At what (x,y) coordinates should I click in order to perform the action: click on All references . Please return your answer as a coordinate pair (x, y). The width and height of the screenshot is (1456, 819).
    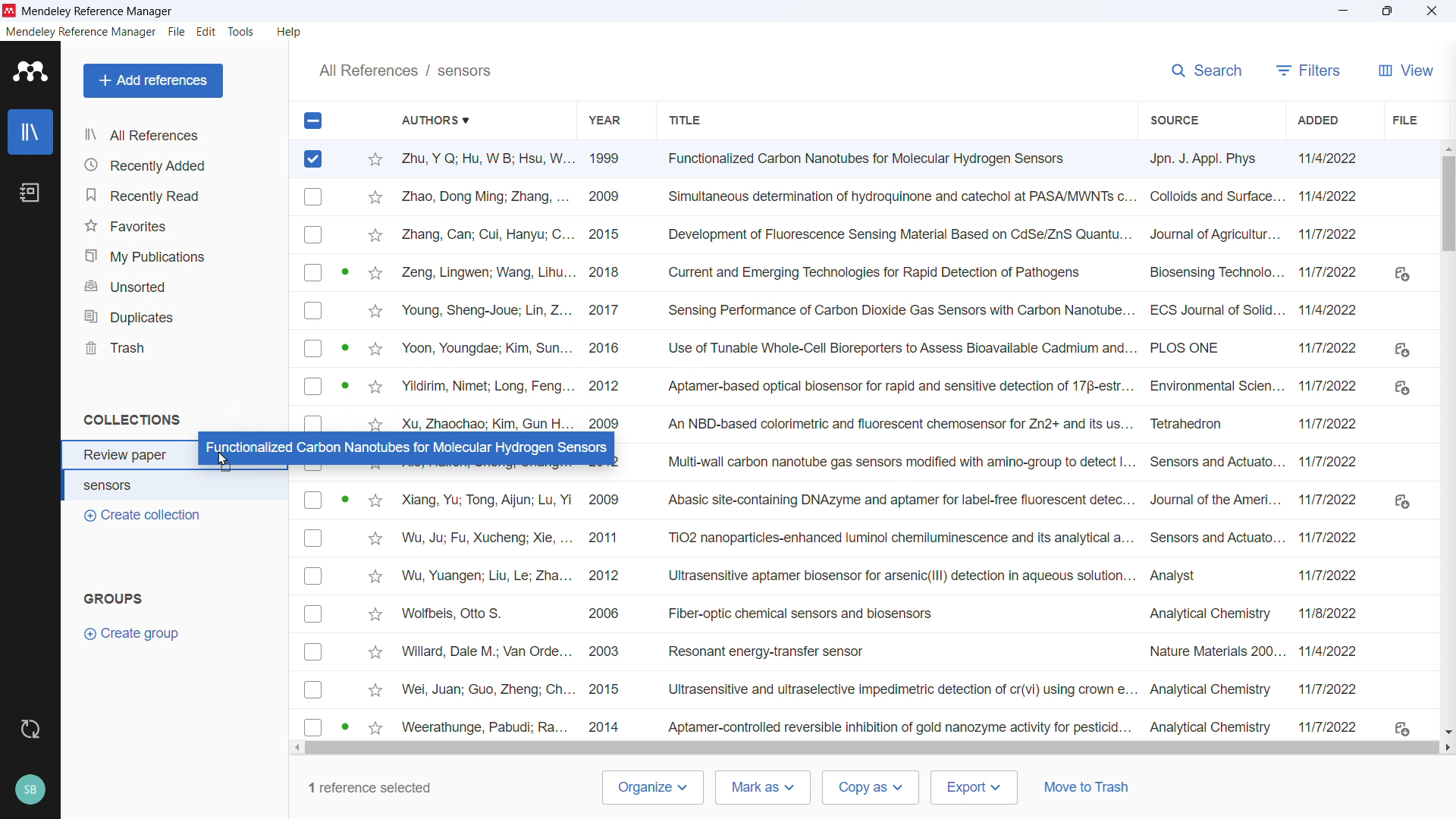
    Looking at the image, I should click on (148, 135).